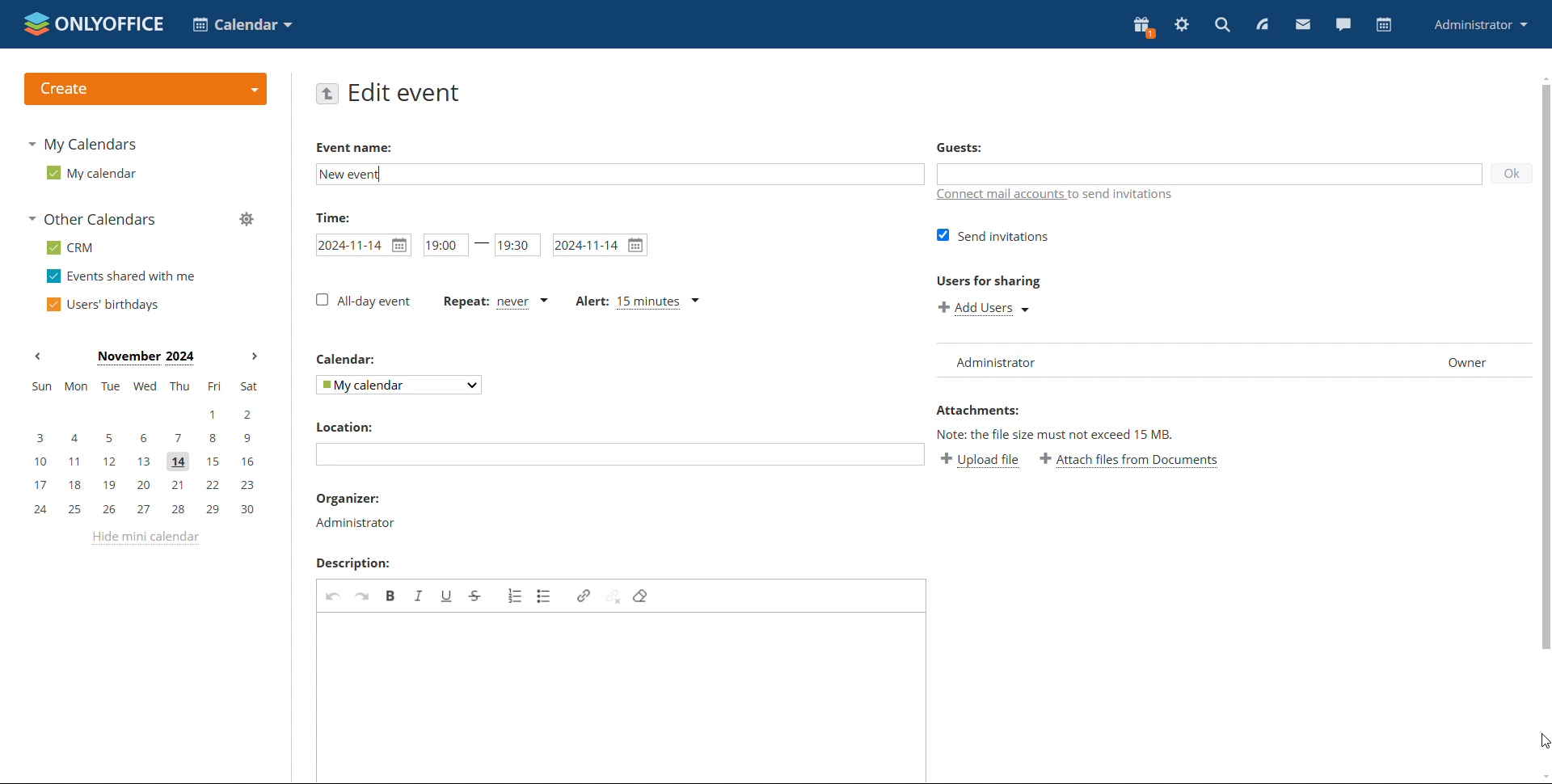 This screenshot has width=1552, height=784. I want to click on send invitations, so click(991, 238).